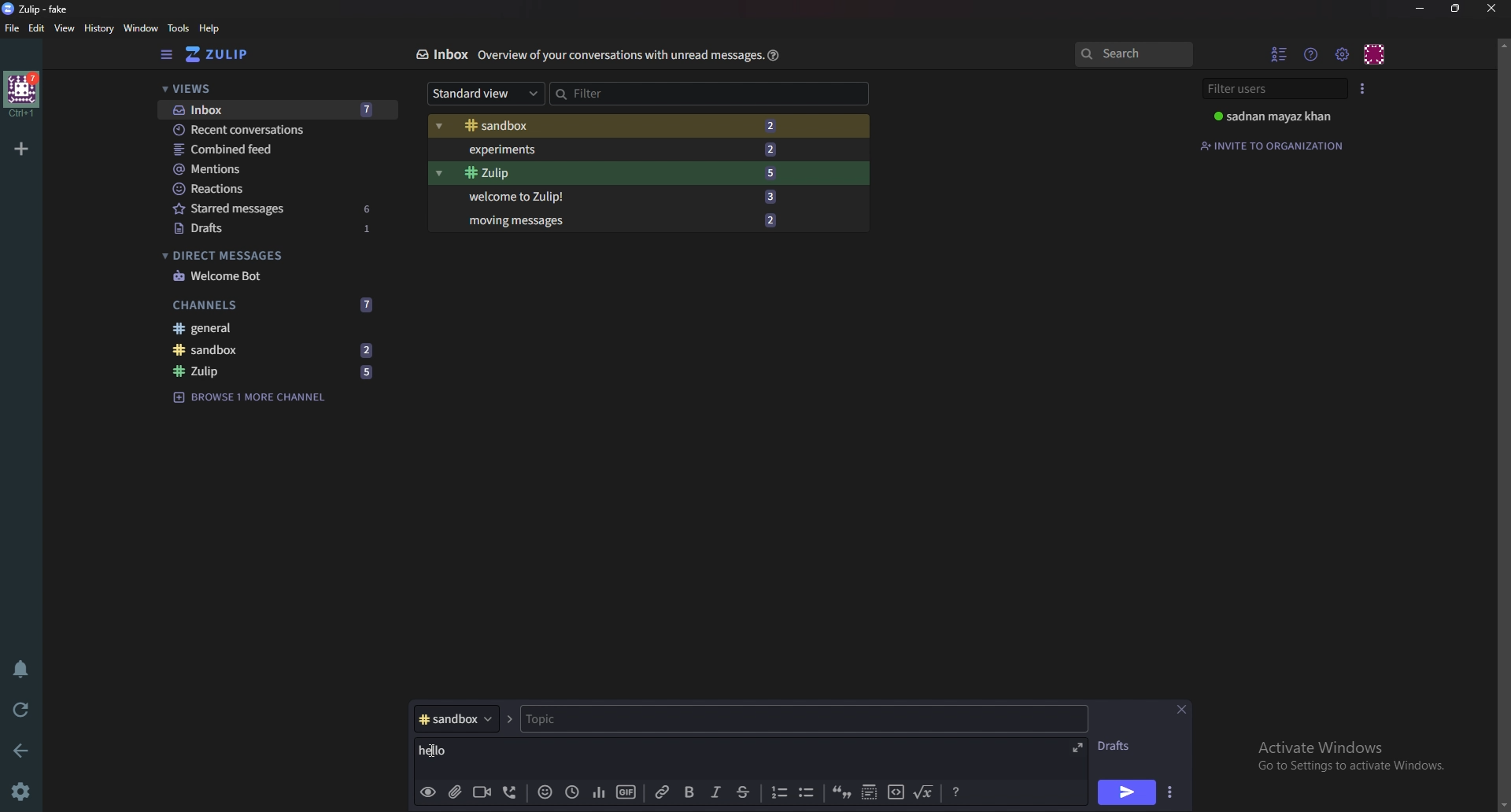  Describe the element at coordinates (622, 220) in the screenshot. I see `Moving messages 2` at that location.